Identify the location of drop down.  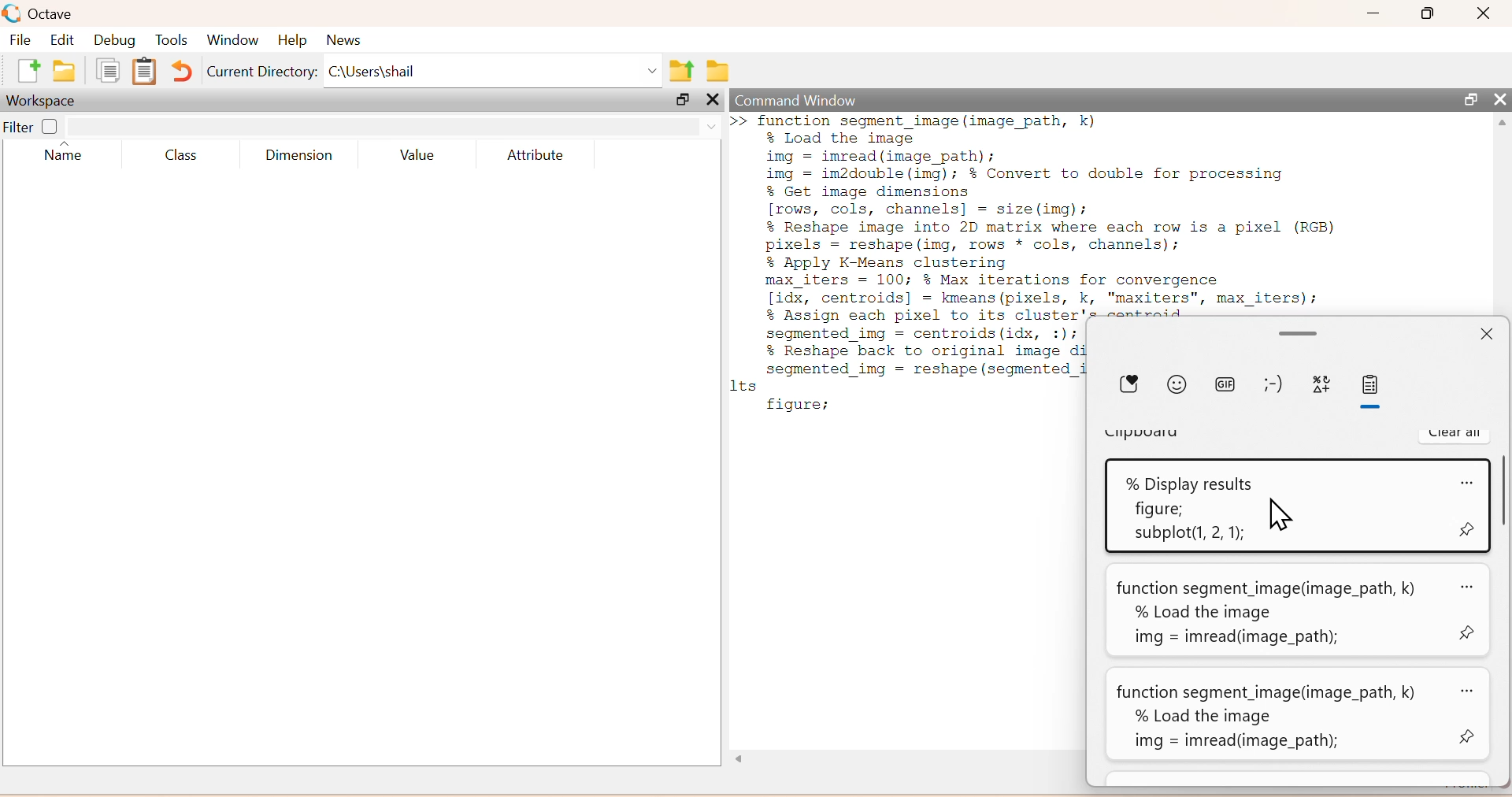
(709, 124).